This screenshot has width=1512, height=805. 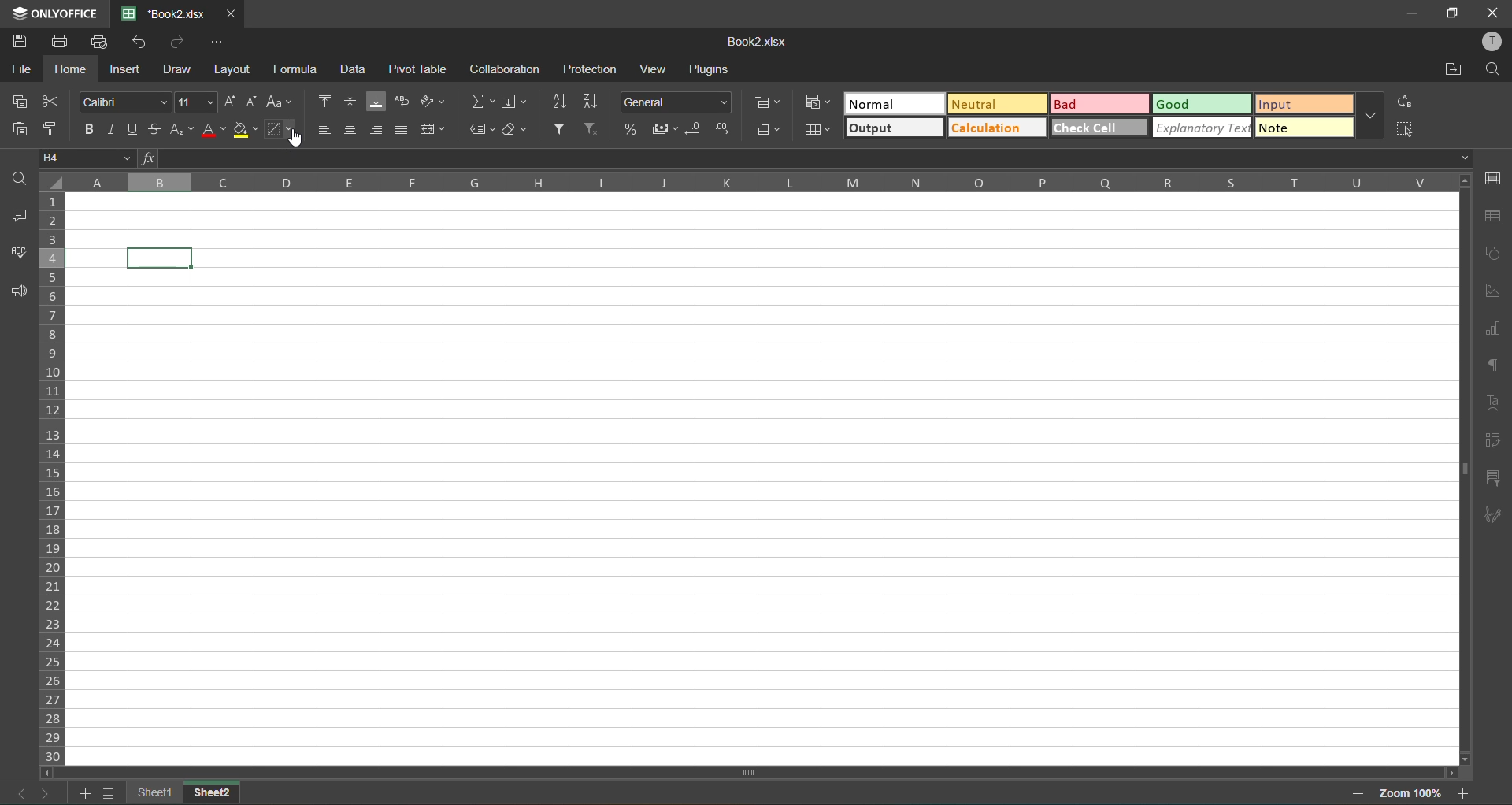 What do you see at coordinates (113, 129) in the screenshot?
I see `italic` at bounding box center [113, 129].